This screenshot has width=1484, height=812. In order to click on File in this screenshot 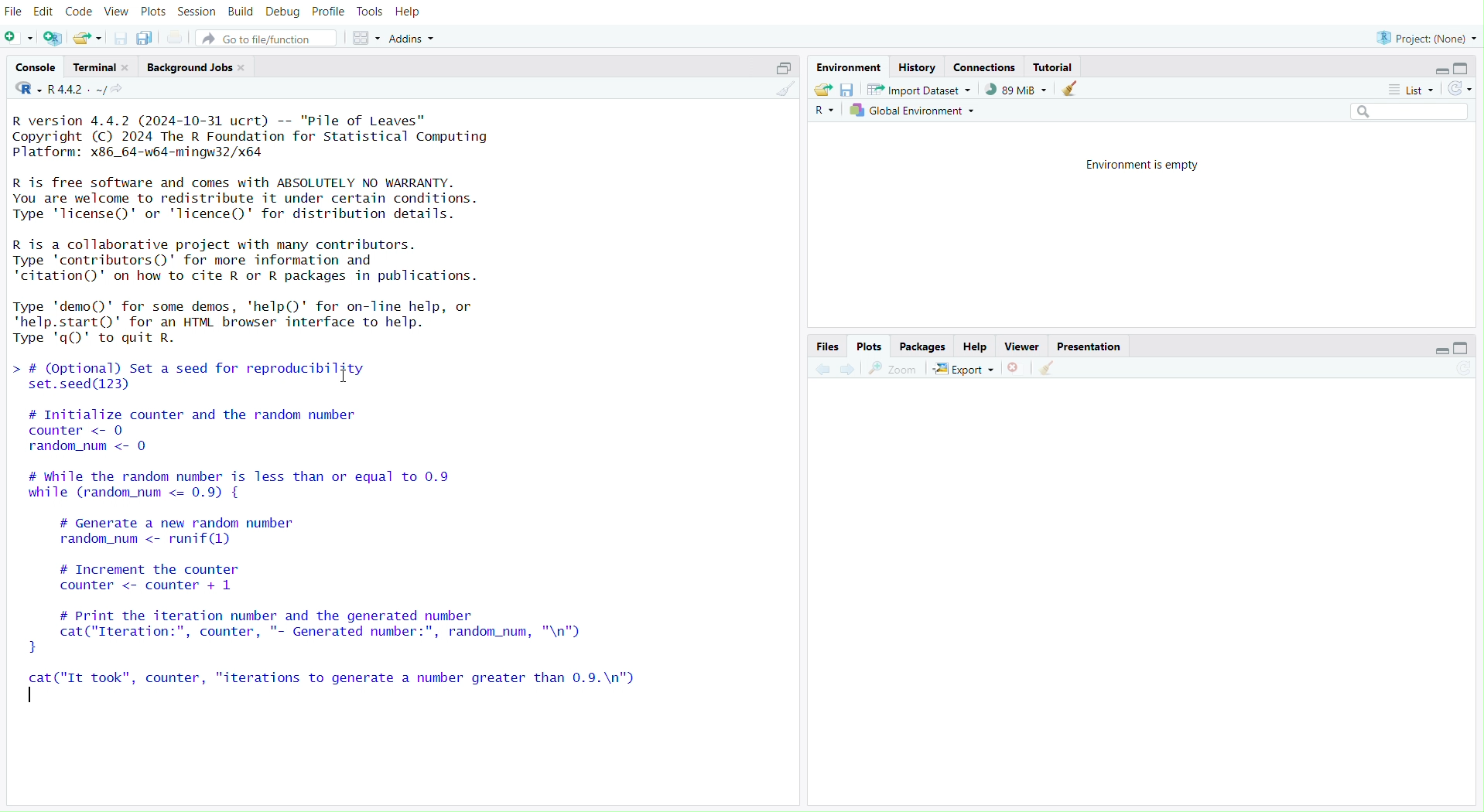, I will do `click(15, 12)`.